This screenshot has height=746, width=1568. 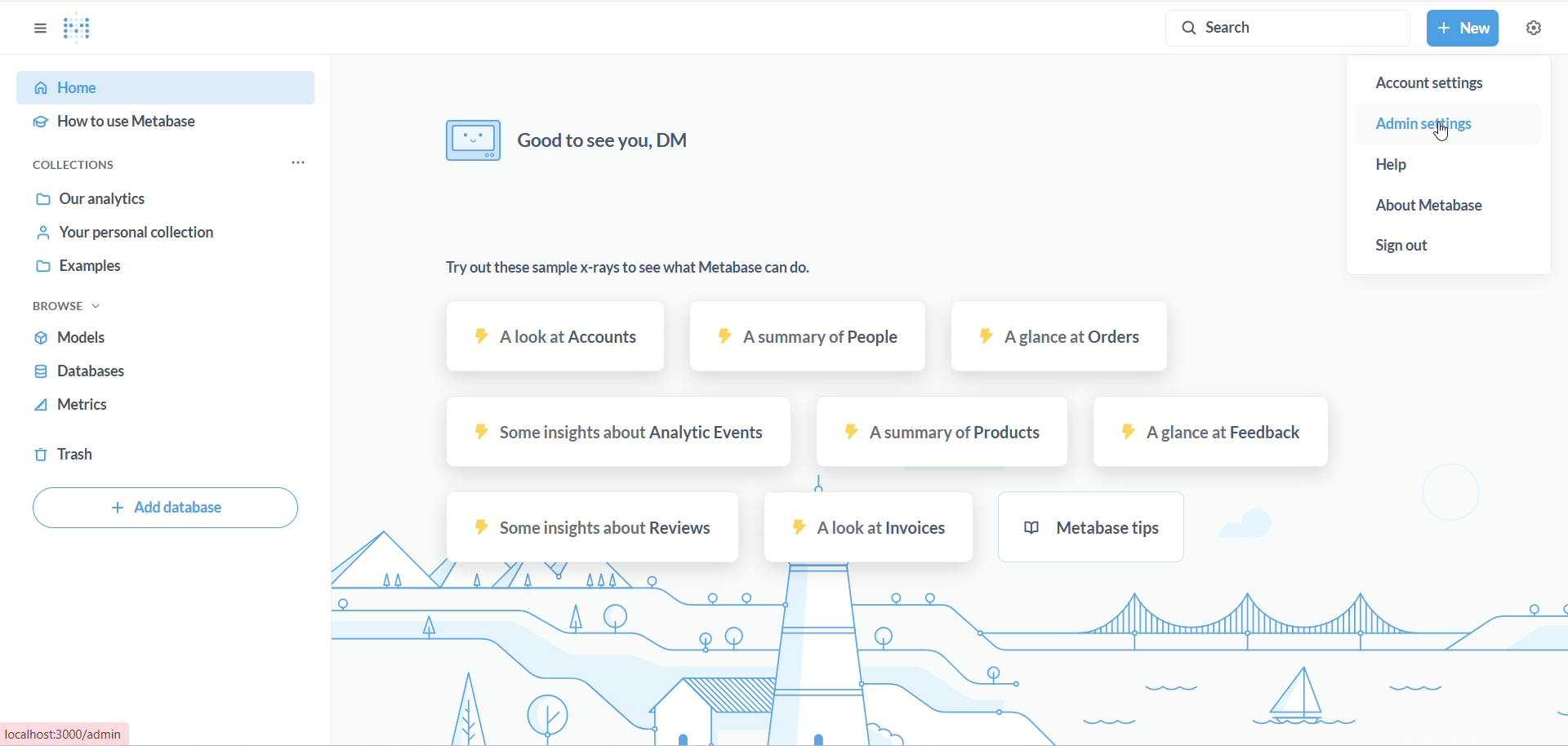 What do you see at coordinates (79, 405) in the screenshot?
I see `metrics` at bounding box center [79, 405].